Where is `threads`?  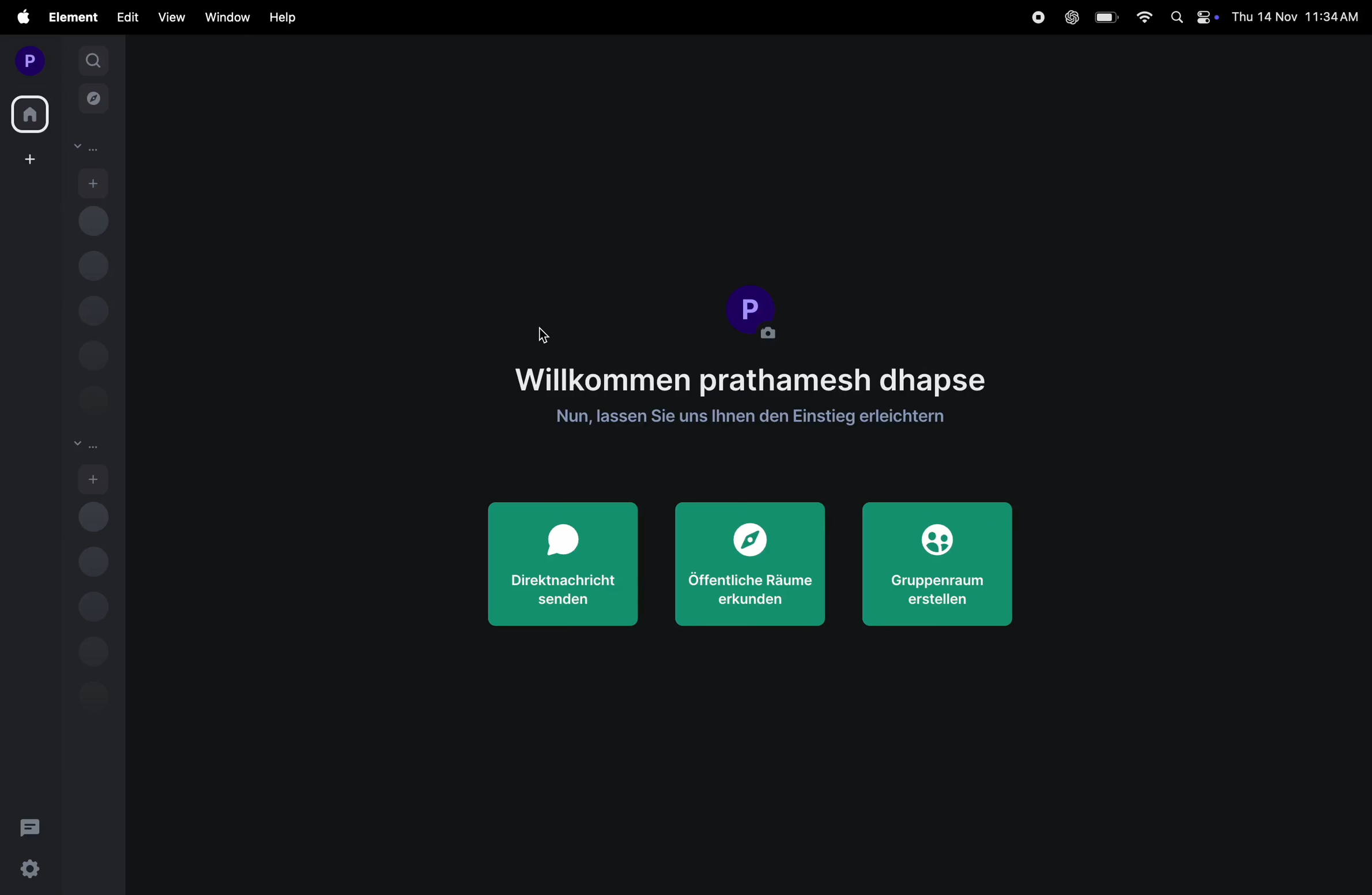 threads is located at coordinates (31, 825).